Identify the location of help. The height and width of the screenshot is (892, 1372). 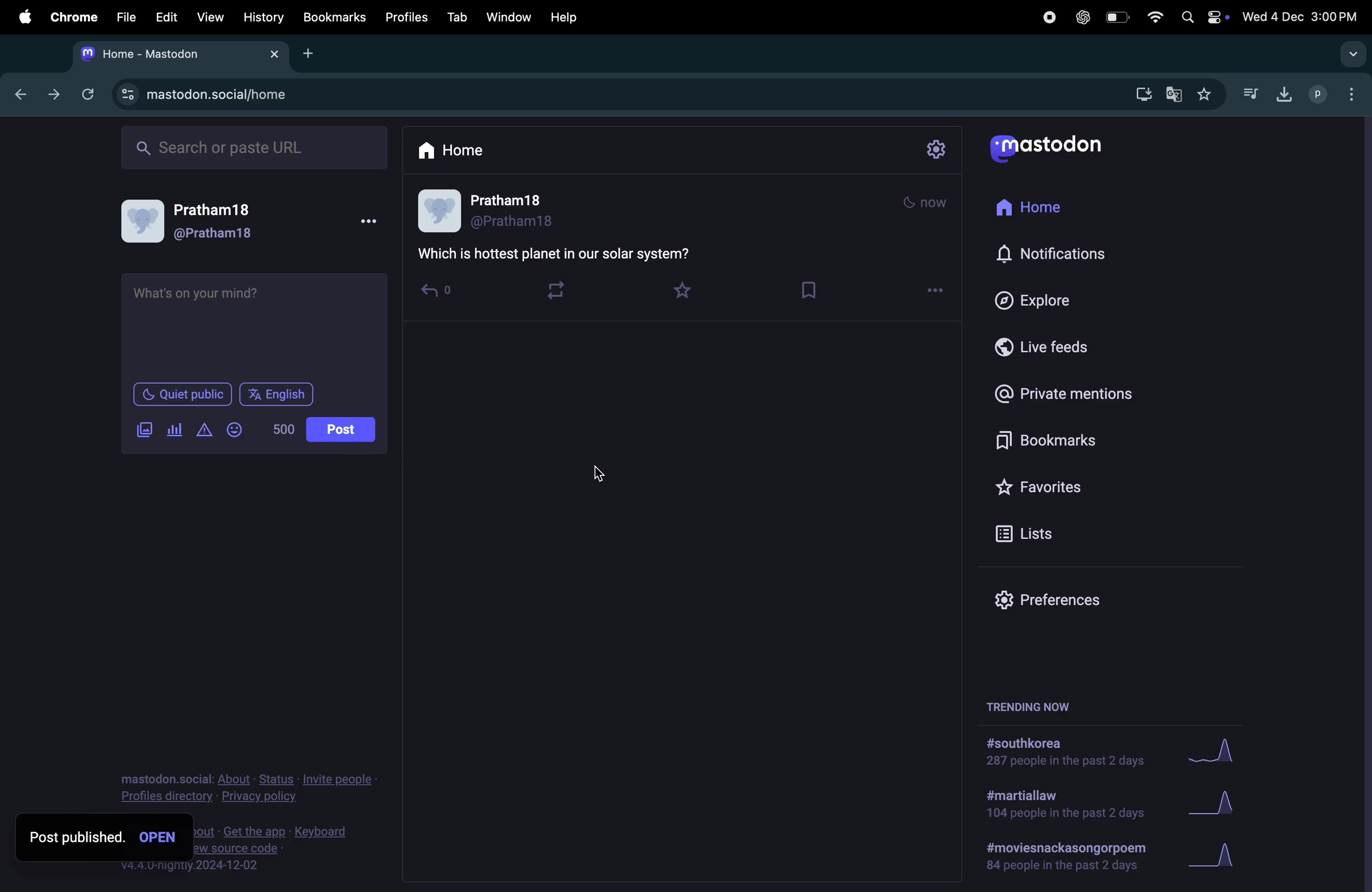
(569, 17).